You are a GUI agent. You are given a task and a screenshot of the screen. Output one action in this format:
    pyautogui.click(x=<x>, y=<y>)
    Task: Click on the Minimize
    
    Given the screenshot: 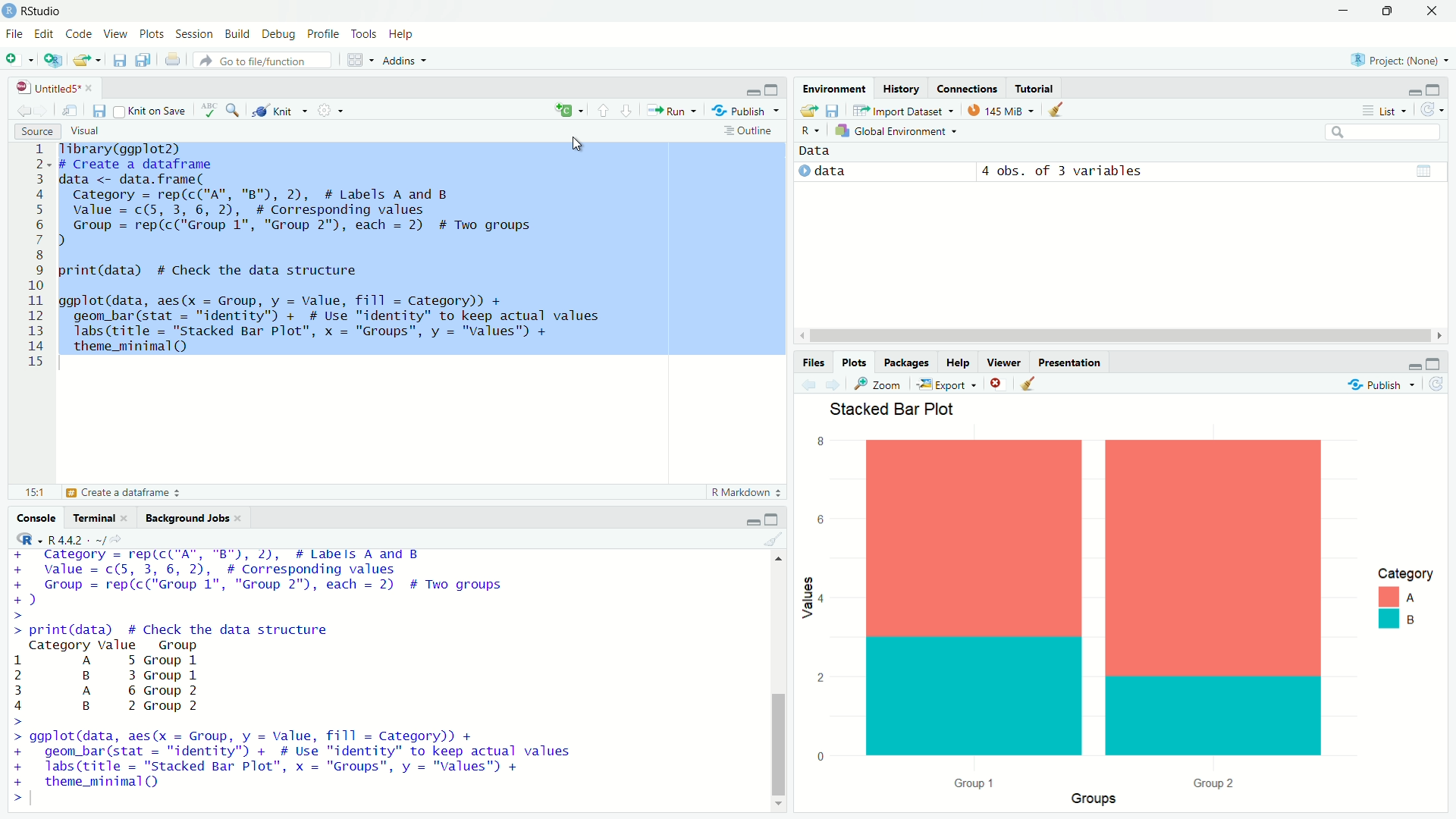 What is the action you would take?
    pyautogui.click(x=1412, y=91)
    